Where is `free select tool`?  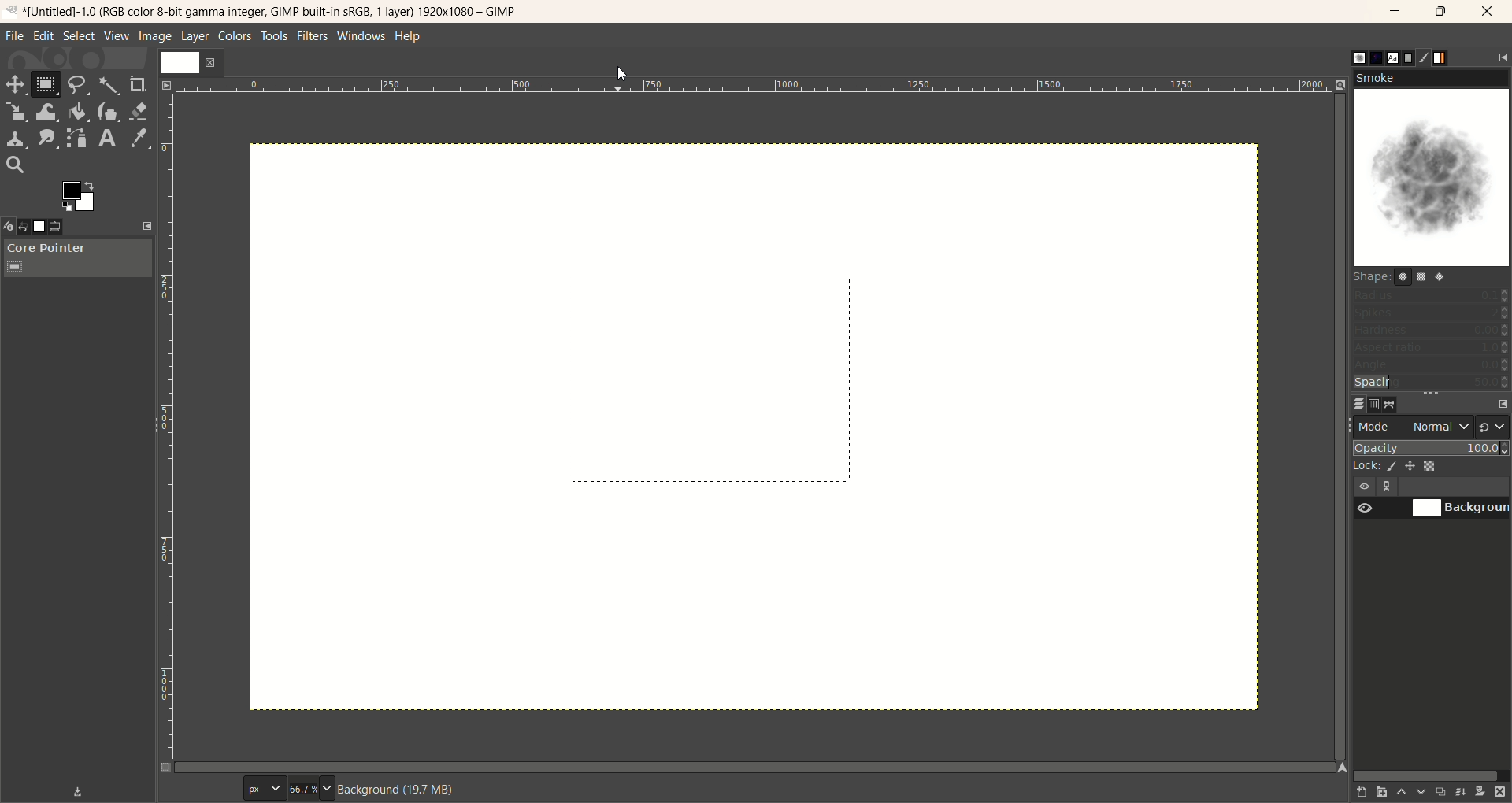
free select tool is located at coordinates (79, 86).